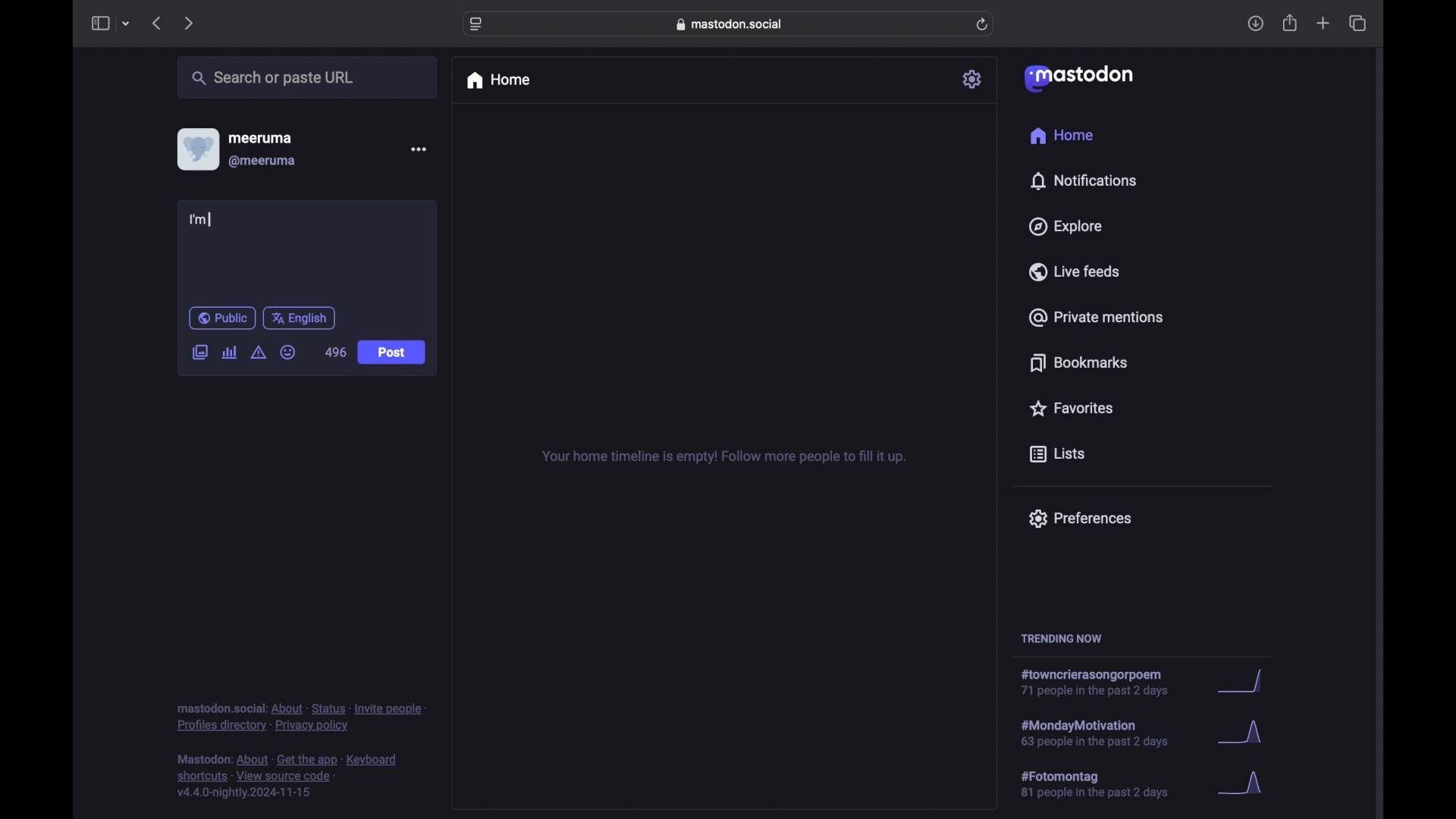 This screenshot has height=819, width=1456. Describe the element at coordinates (335, 352) in the screenshot. I see `496` at that location.